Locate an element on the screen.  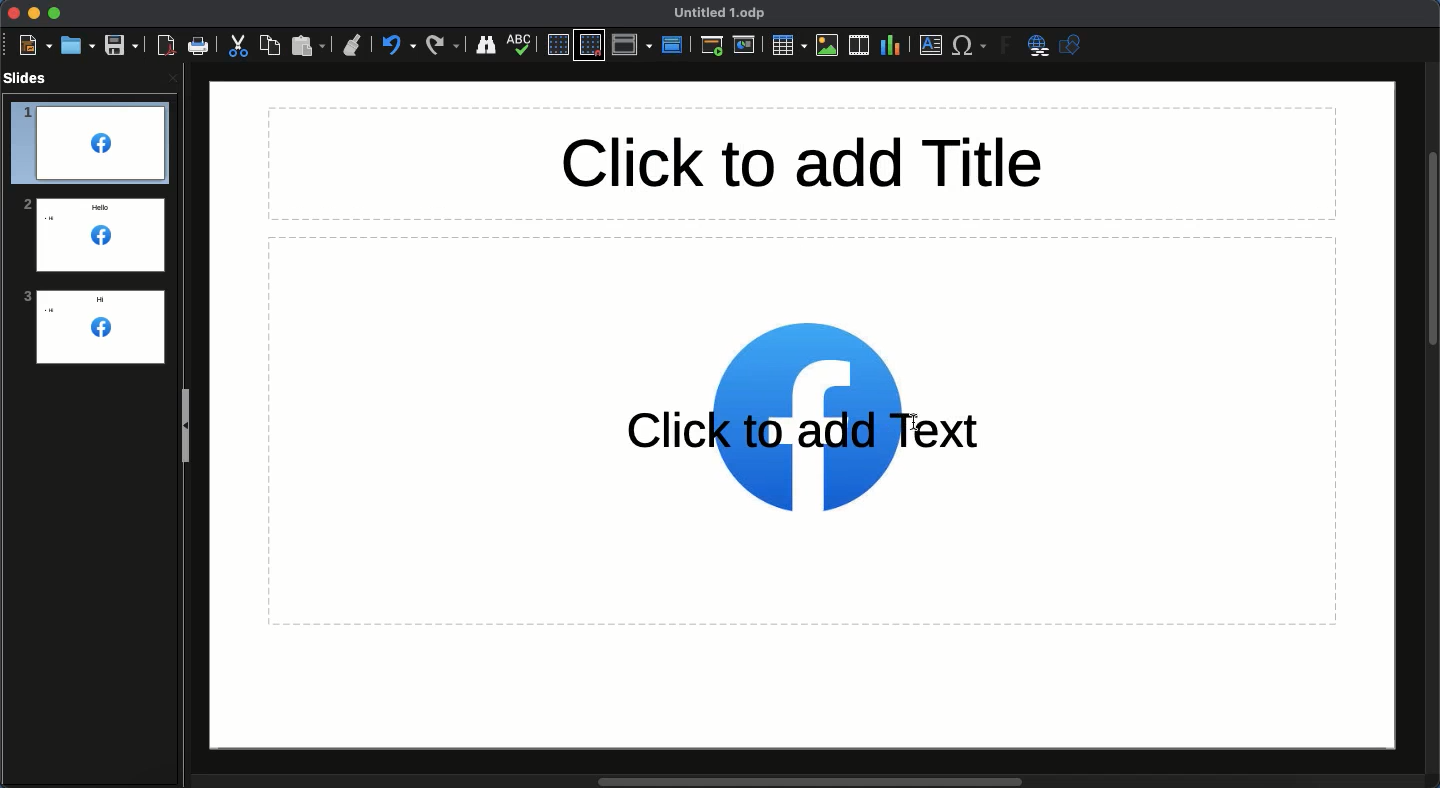
Export as PDF is located at coordinates (166, 47).